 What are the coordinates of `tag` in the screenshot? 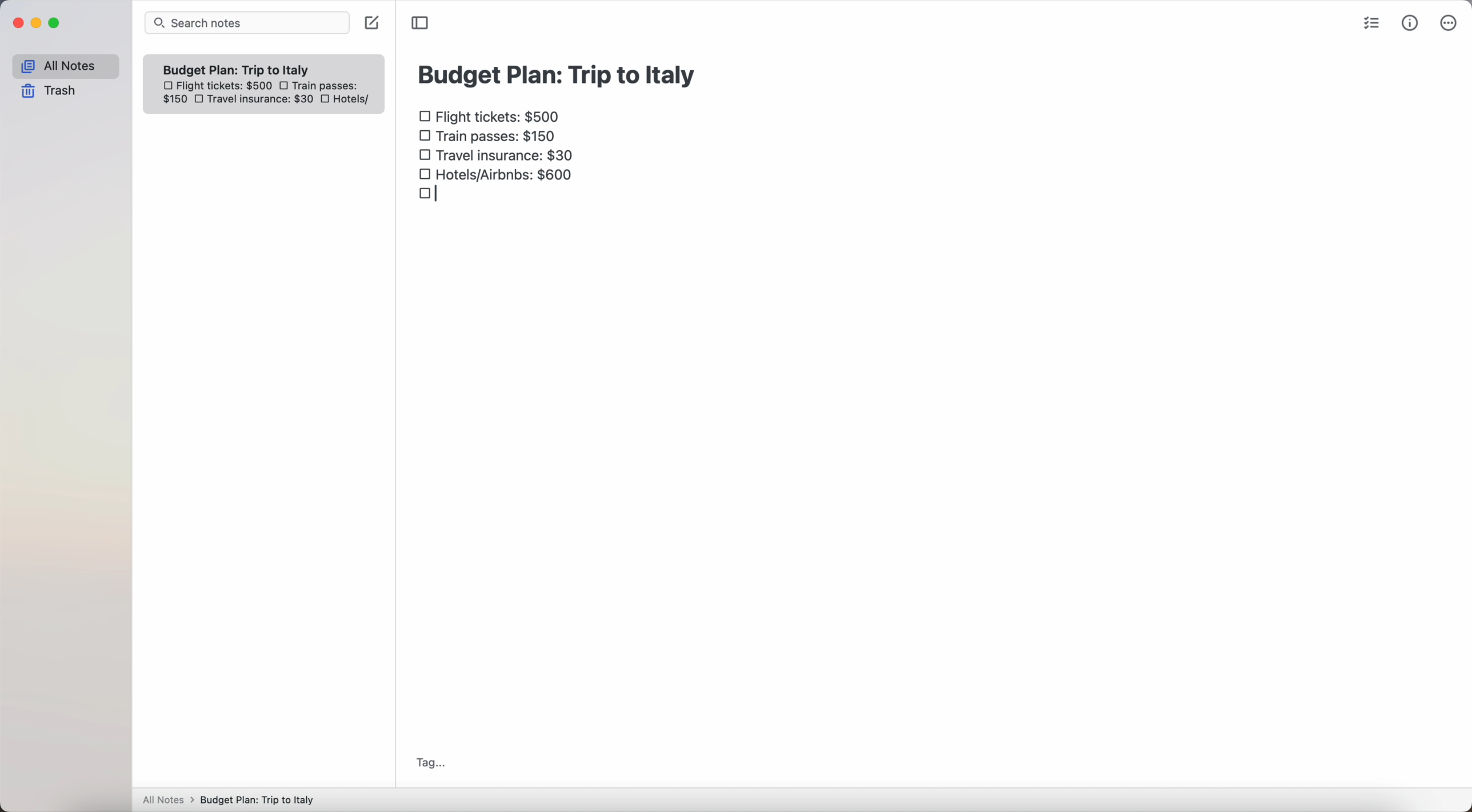 It's located at (431, 763).